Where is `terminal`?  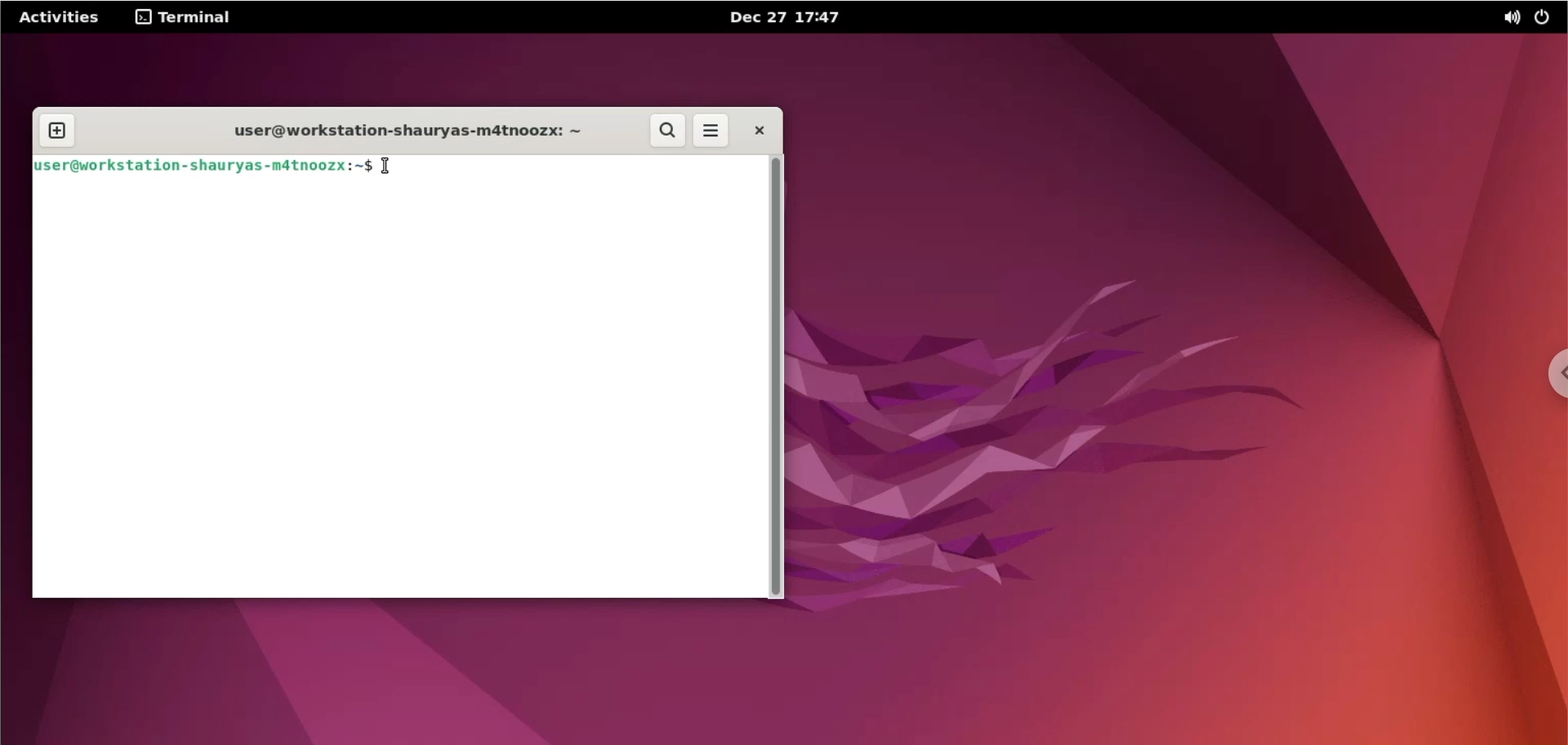
terminal is located at coordinates (188, 17).